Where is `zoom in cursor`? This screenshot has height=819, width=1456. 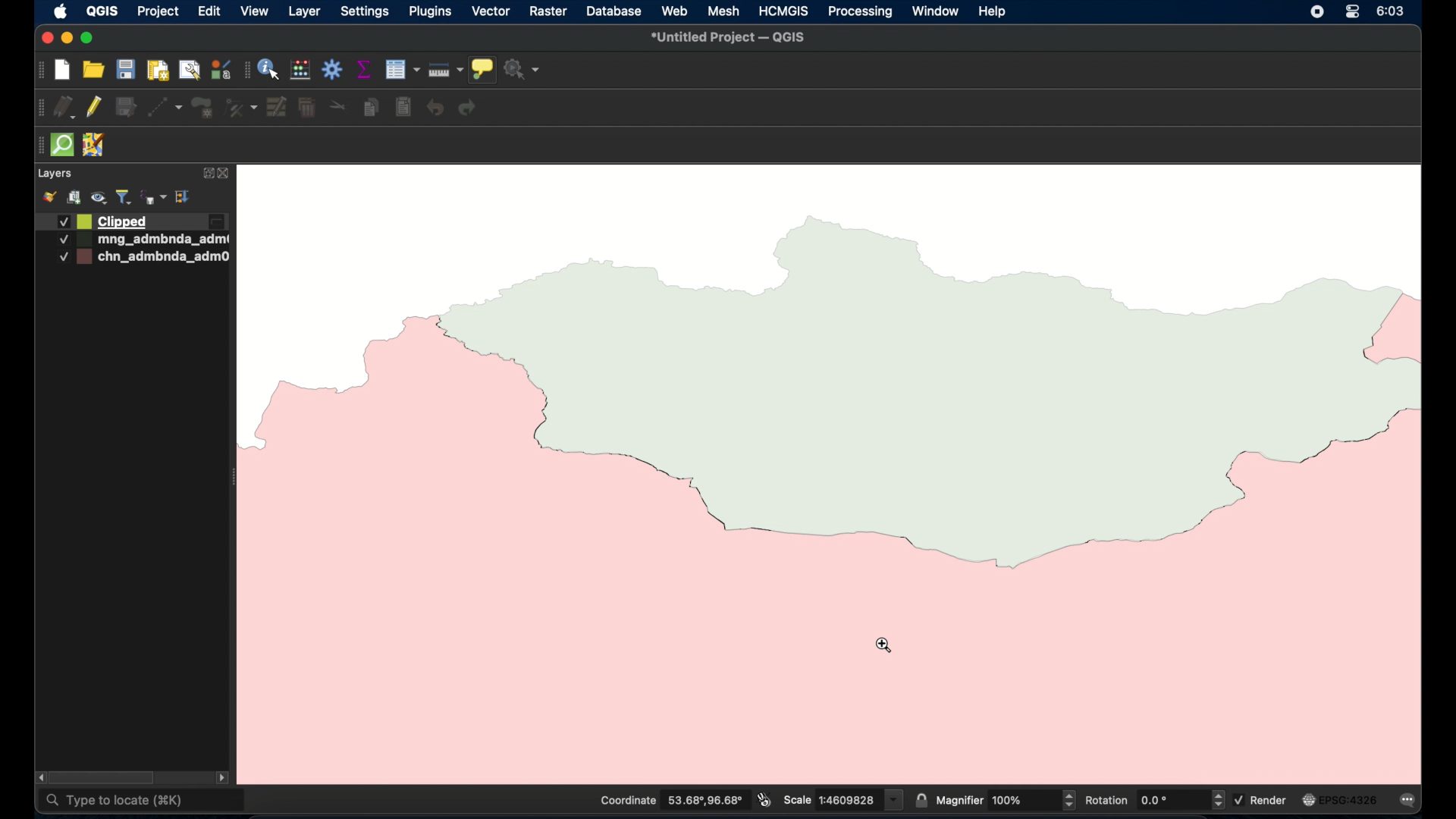
zoom in cursor is located at coordinates (884, 645).